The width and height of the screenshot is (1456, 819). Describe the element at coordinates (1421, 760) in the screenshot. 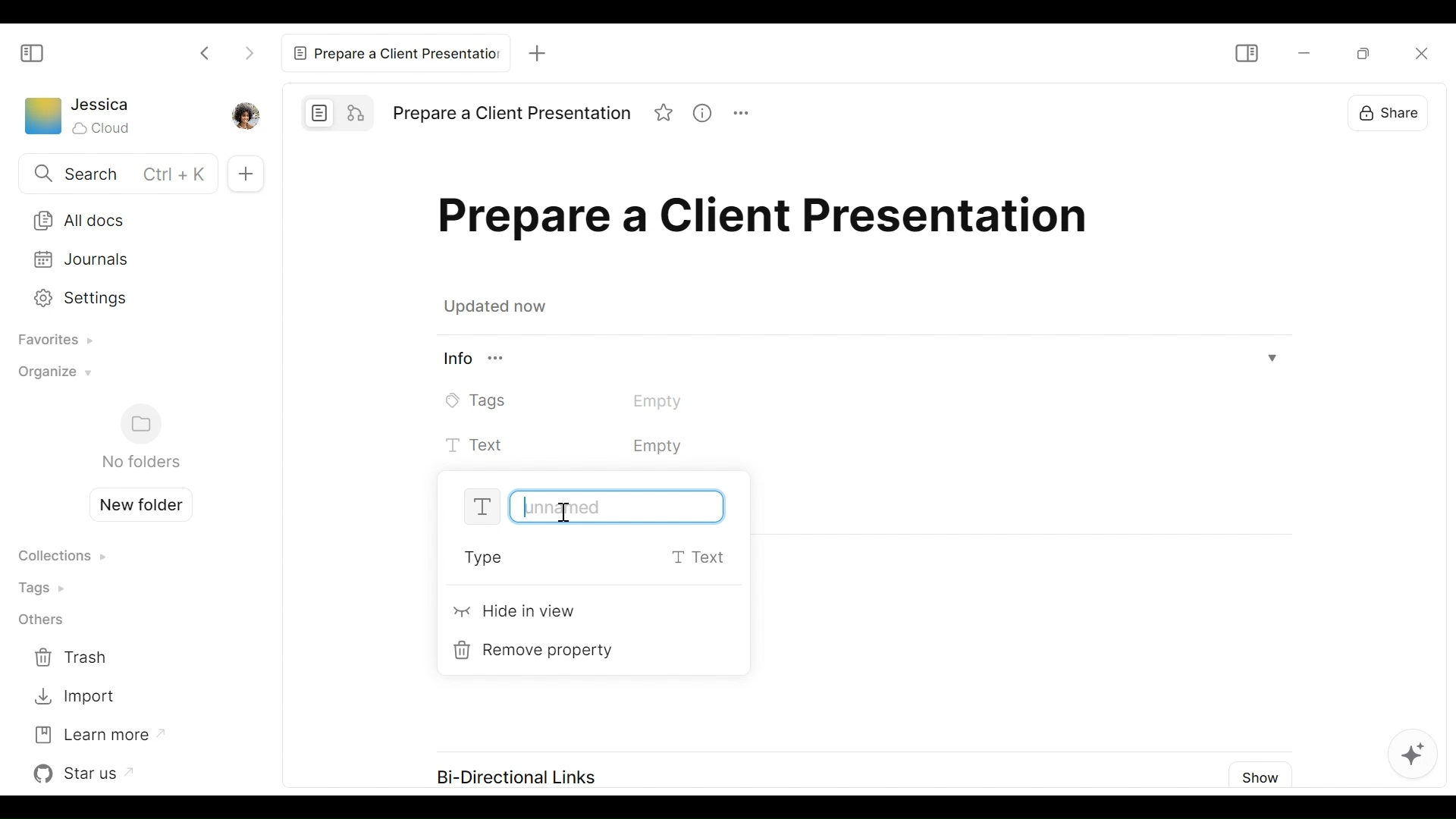

I see `AI` at that location.